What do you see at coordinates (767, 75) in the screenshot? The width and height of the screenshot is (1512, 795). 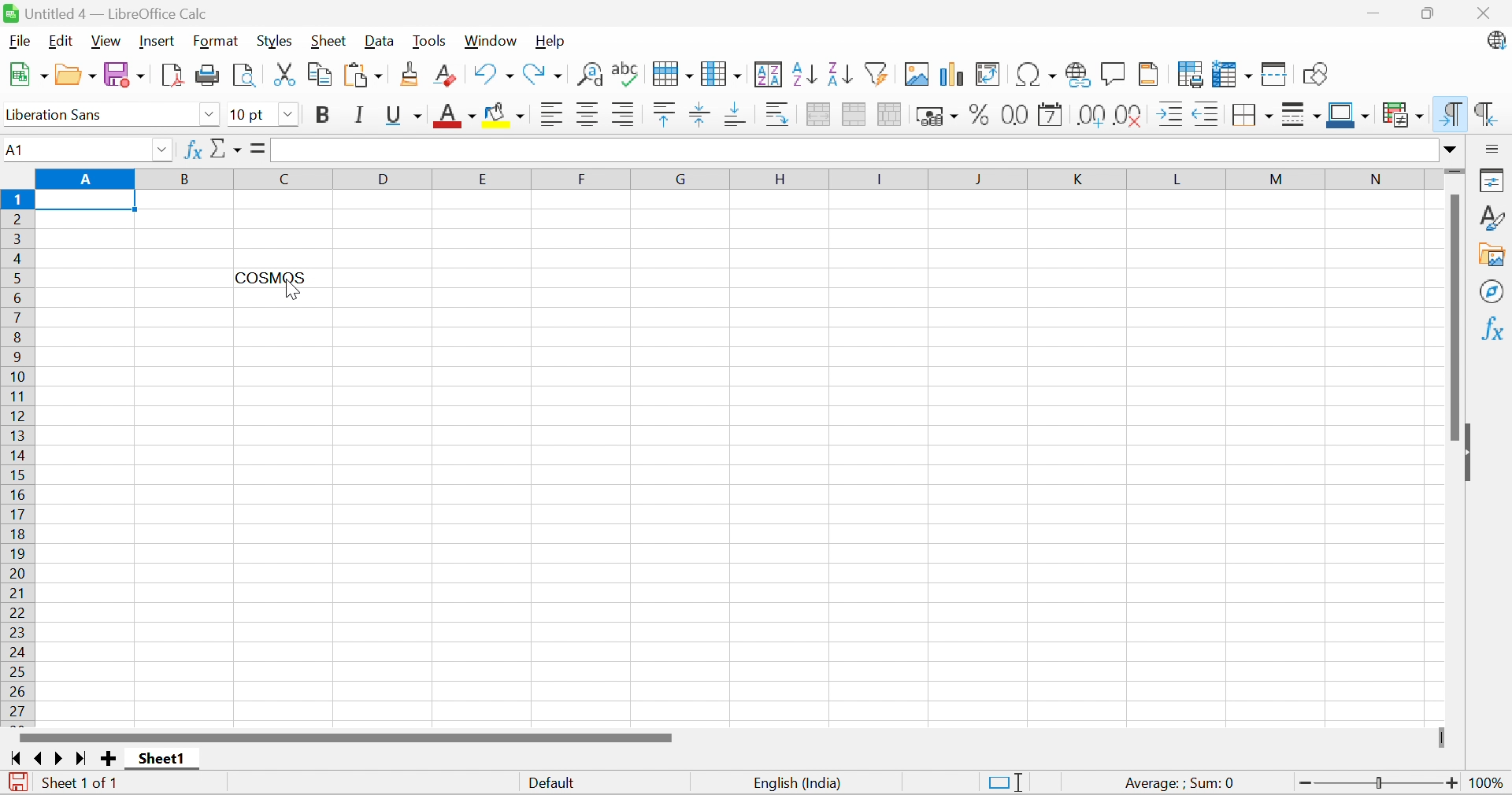 I see `Sort` at bounding box center [767, 75].